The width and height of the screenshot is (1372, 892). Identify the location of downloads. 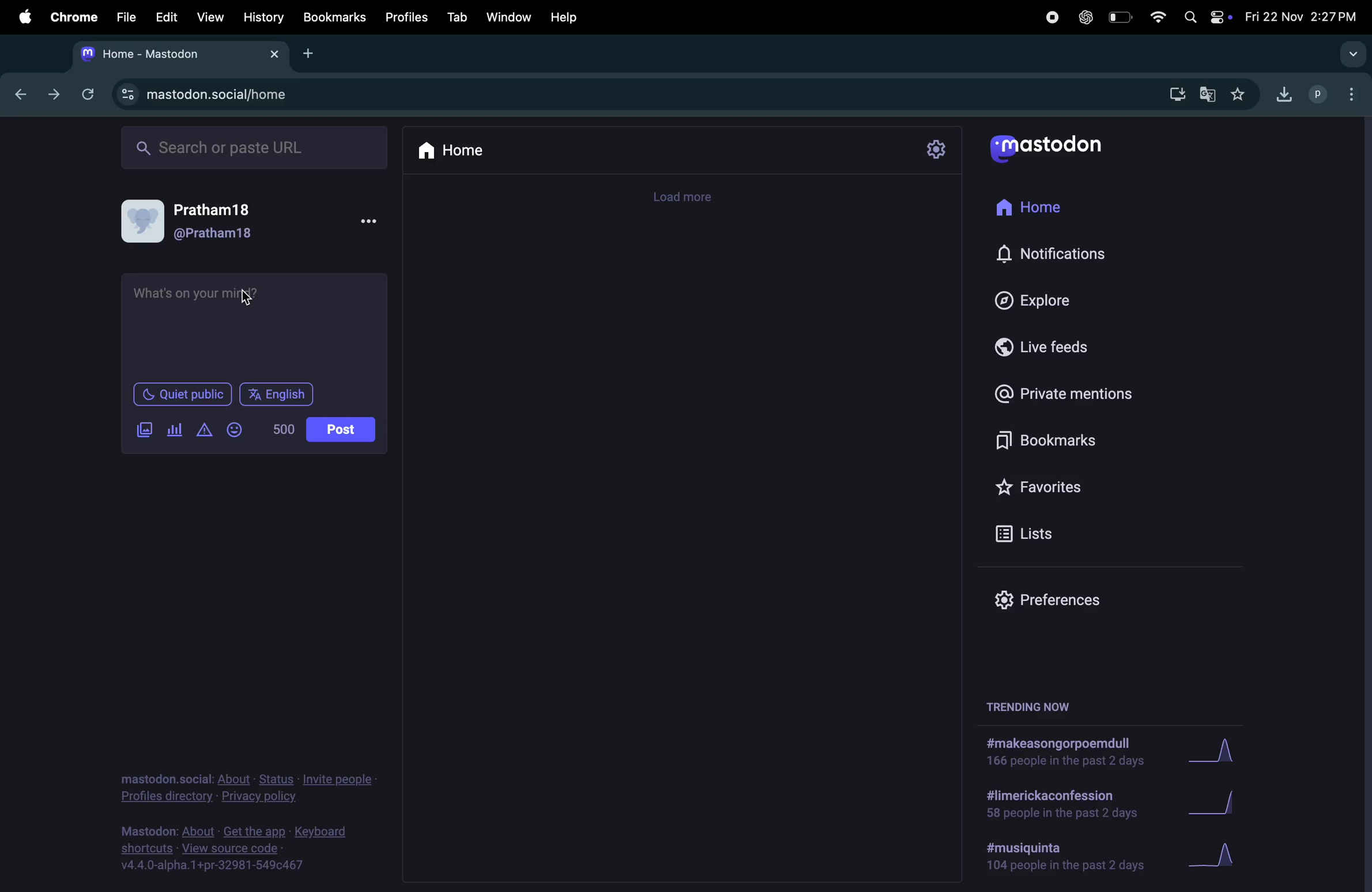
(1284, 92).